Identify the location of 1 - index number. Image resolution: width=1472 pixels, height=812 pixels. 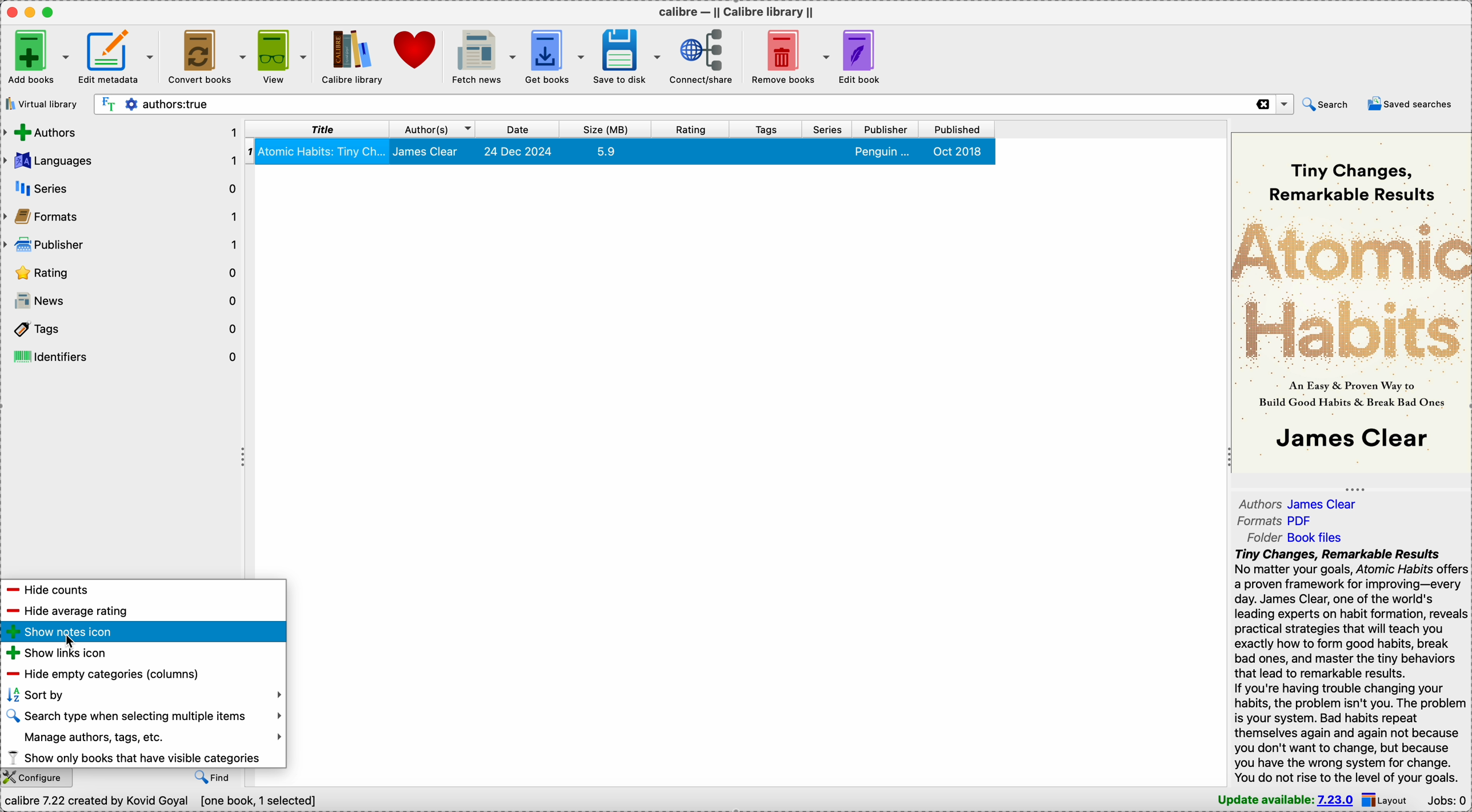
(250, 151).